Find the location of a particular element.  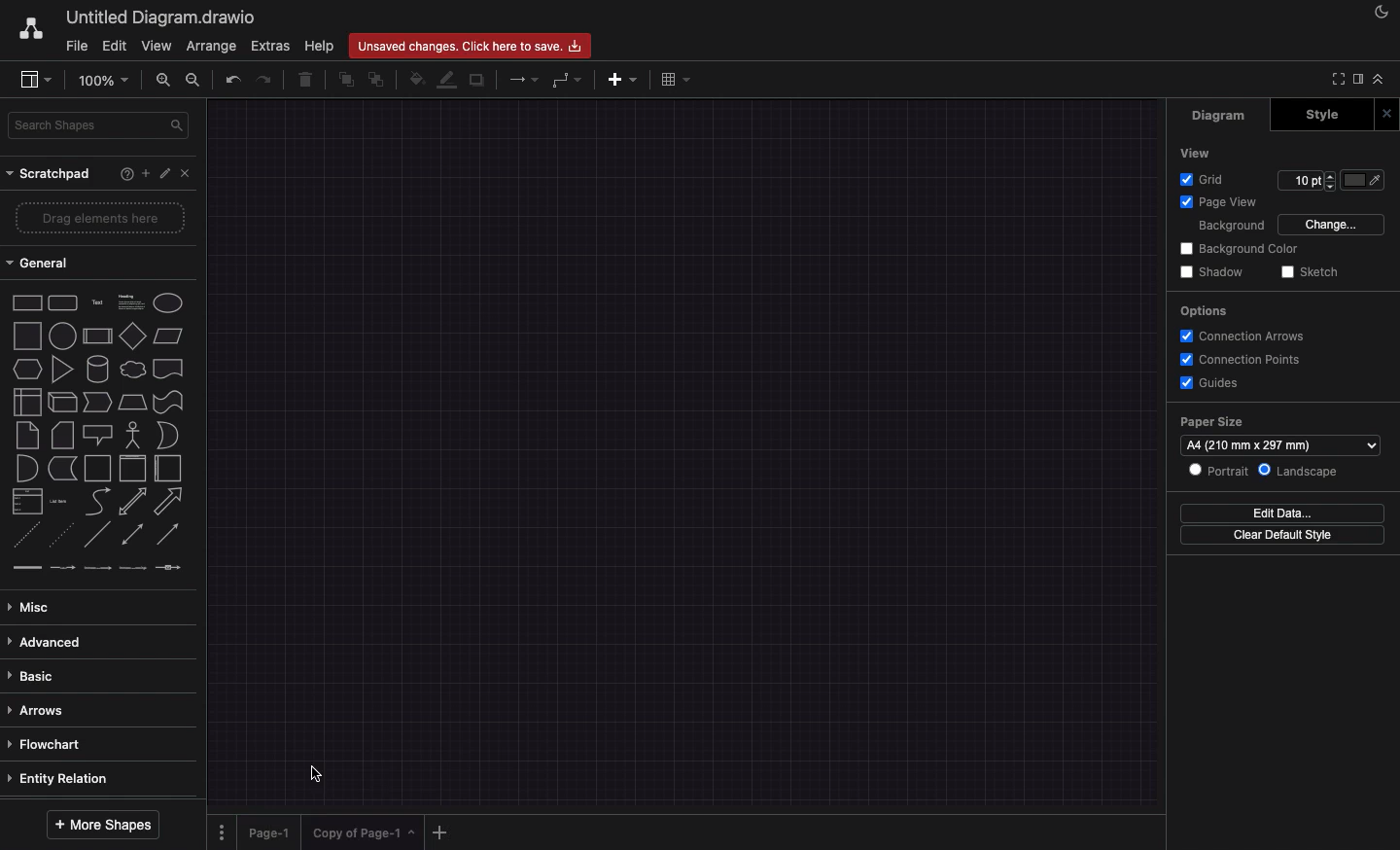

background is located at coordinates (1229, 226).